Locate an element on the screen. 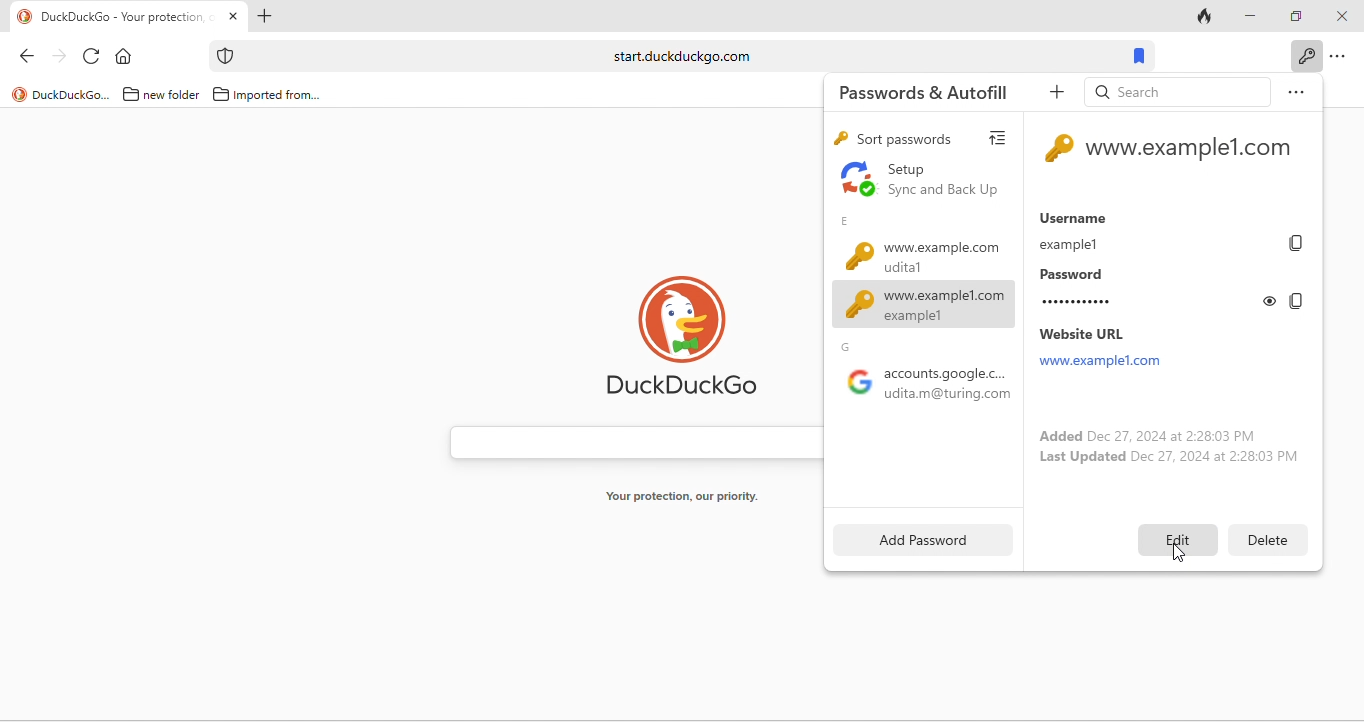 This screenshot has height=722, width=1364. key icon is located at coordinates (1059, 147).